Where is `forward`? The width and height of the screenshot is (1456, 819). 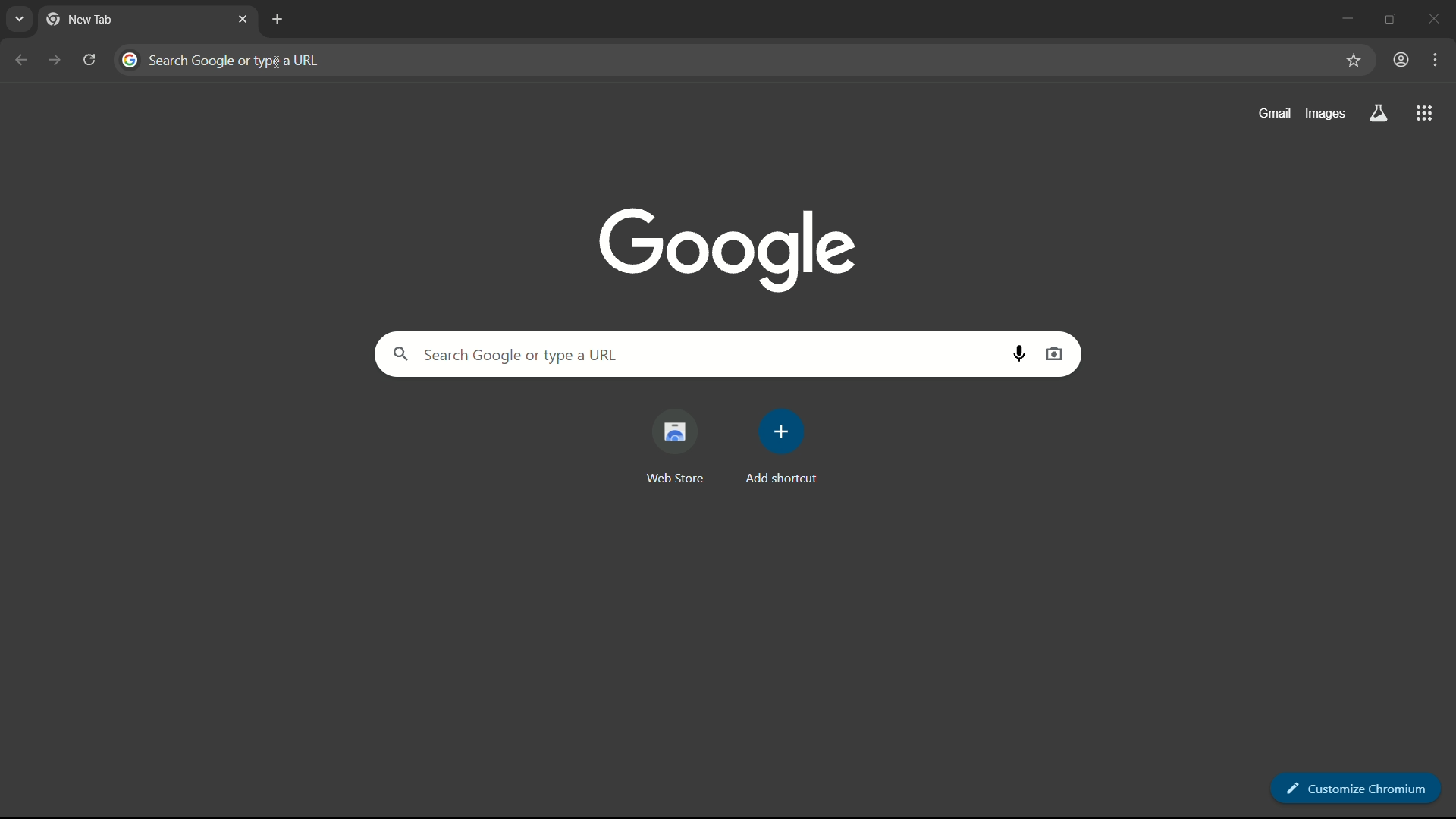
forward is located at coordinates (54, 58).